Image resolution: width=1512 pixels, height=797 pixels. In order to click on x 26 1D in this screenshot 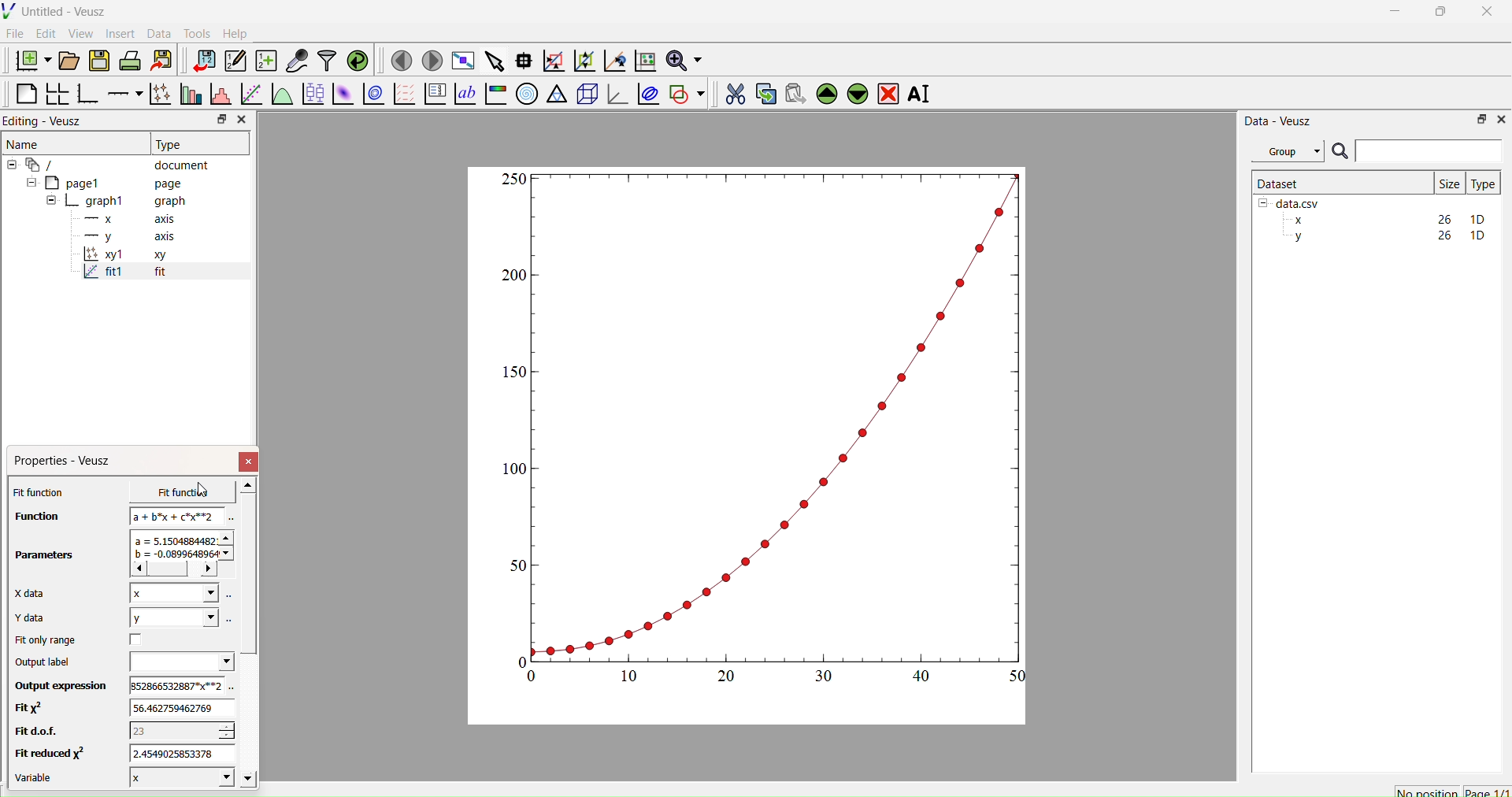, I will do `click(1385, 220)`.